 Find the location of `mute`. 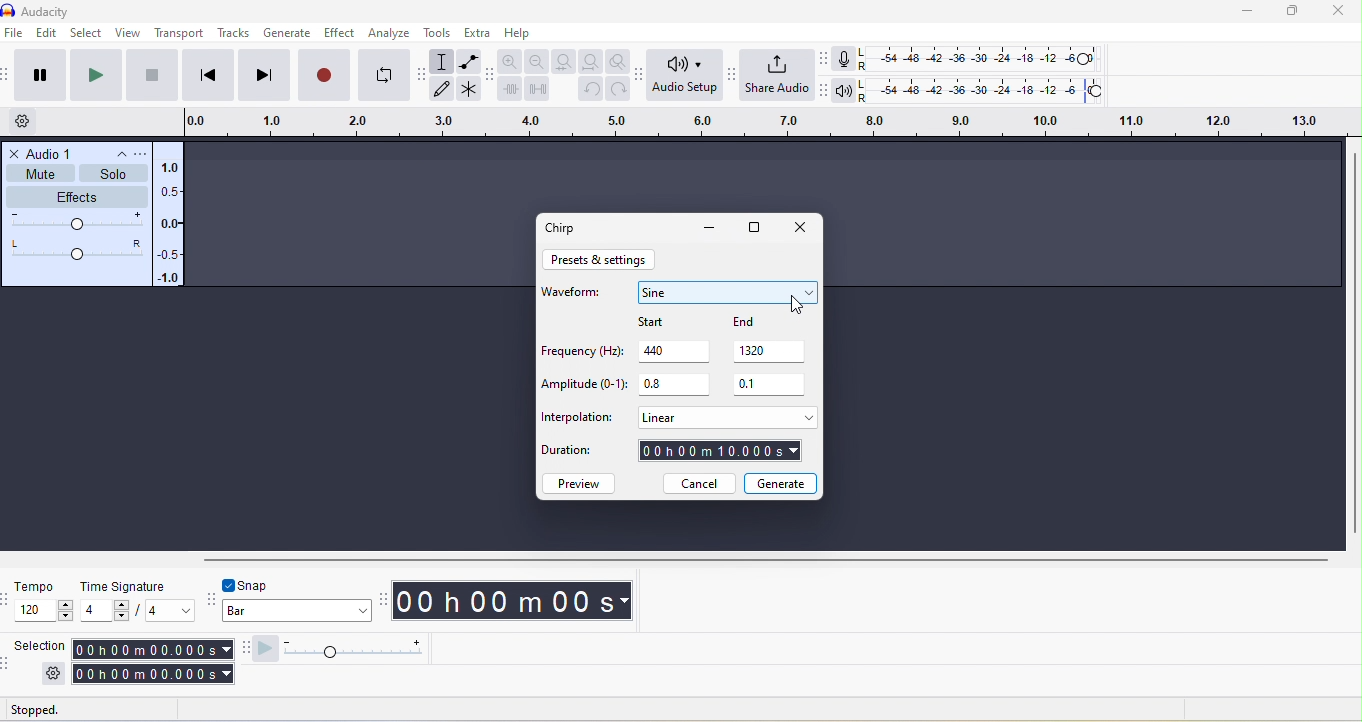

mute is located at coordinates (41, 173).